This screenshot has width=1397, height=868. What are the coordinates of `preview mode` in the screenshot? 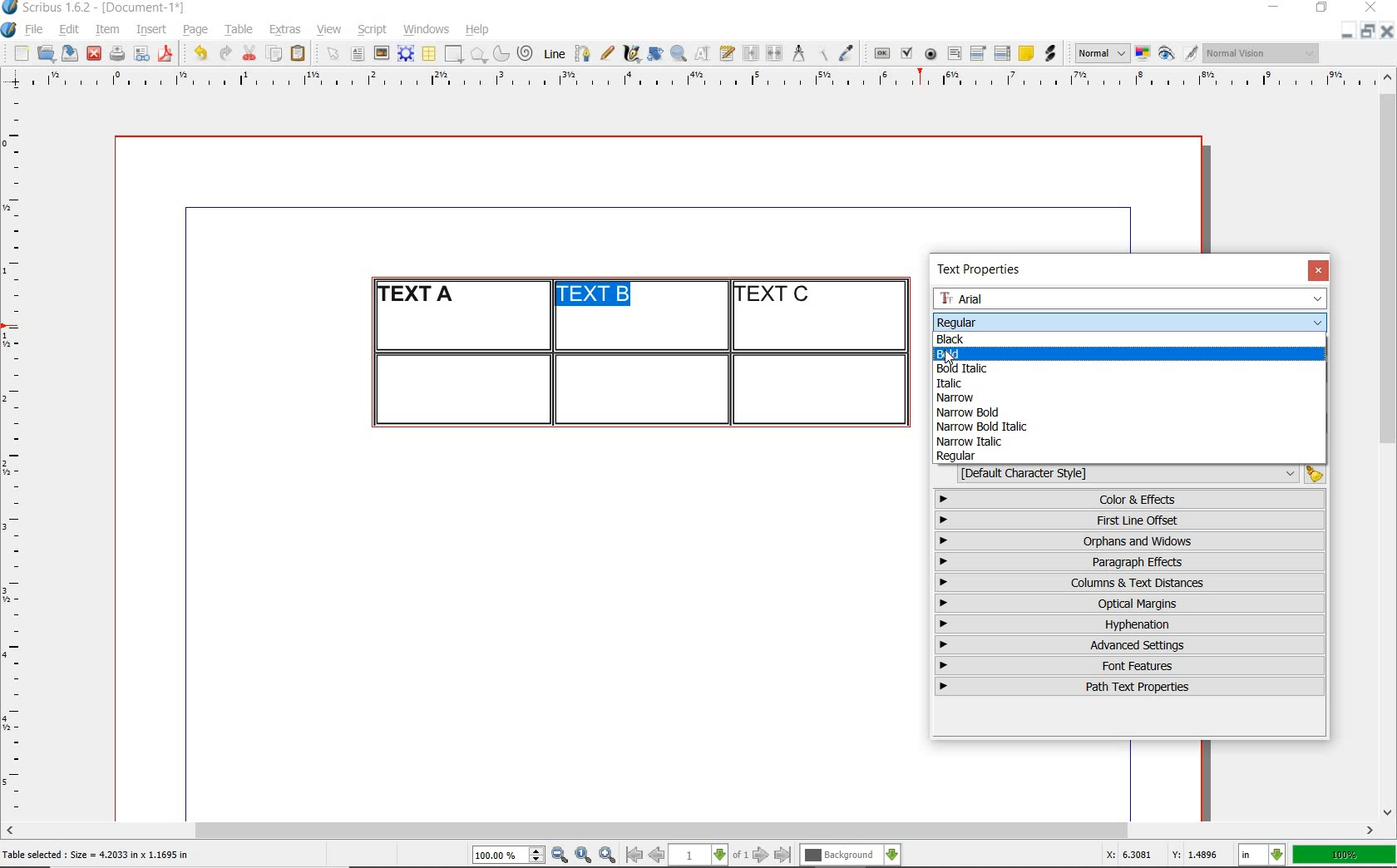 It's located at (1178, 54).